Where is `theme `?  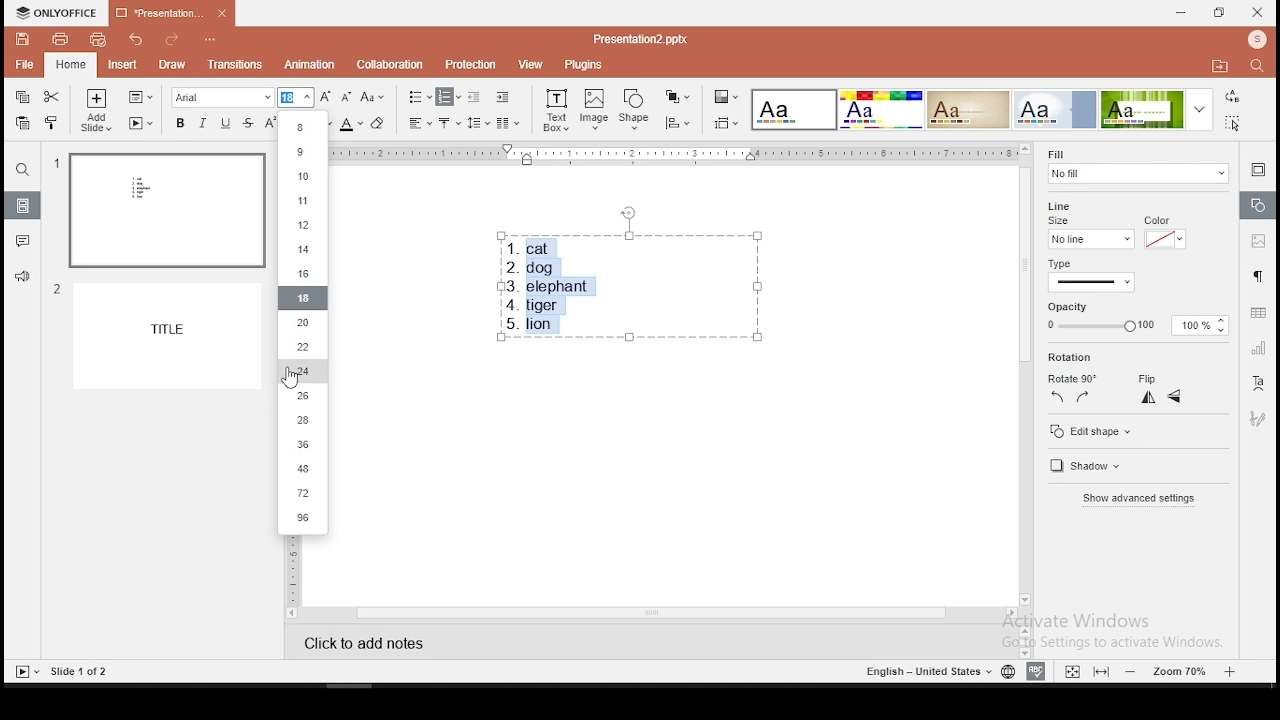
theme  is located at coordinates (968, 109).